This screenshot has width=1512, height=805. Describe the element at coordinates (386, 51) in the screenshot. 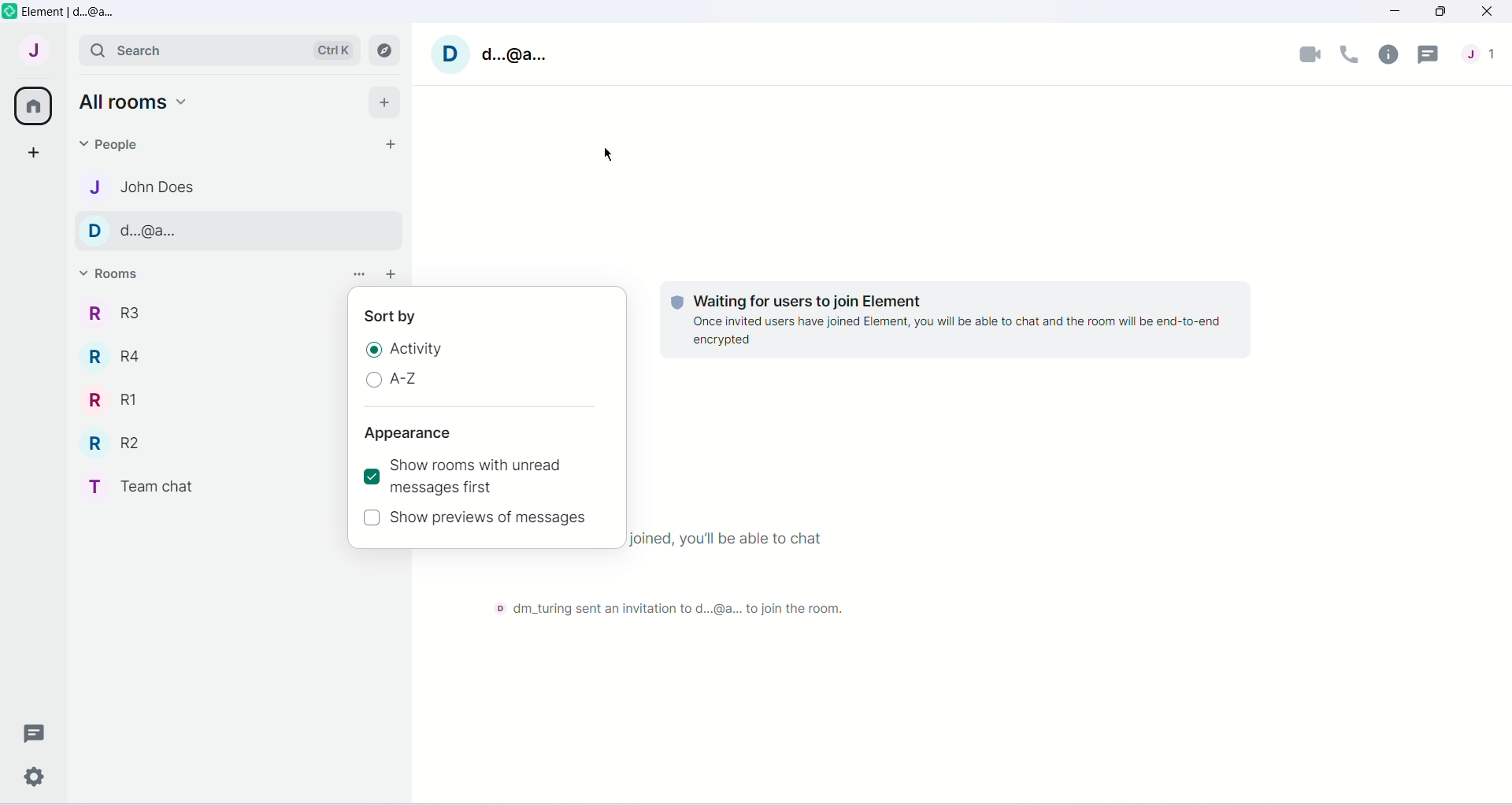

I see `Explore rooms` at that location.